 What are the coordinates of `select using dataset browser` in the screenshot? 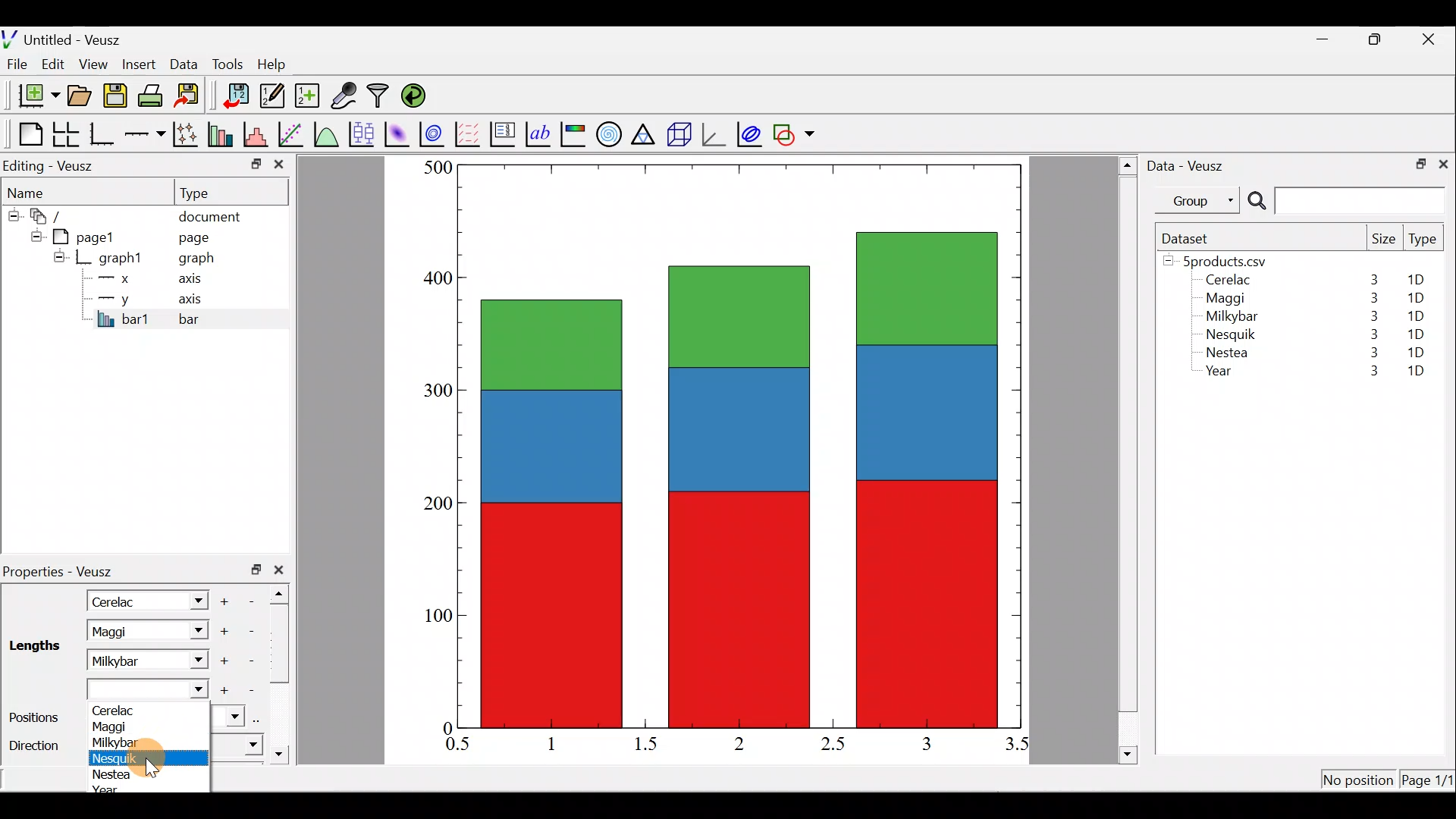 It's located at (260, 717).